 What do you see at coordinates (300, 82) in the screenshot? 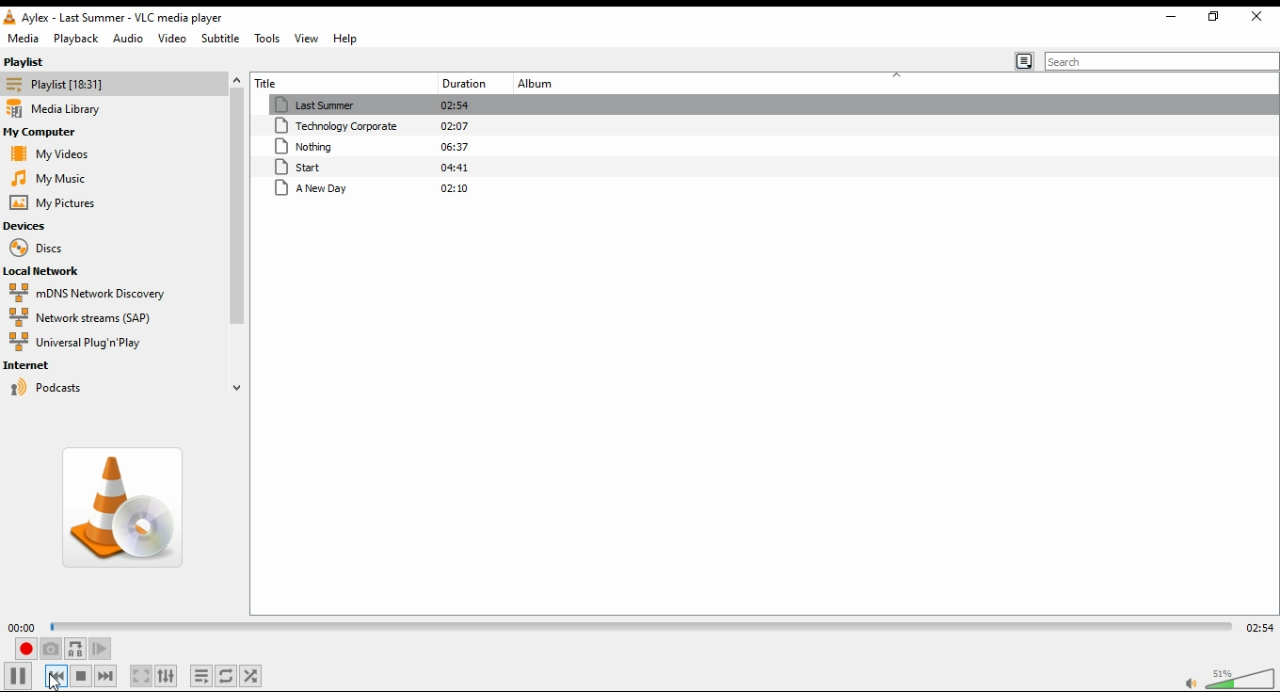
I see `title` at bounding box center [300, 82].